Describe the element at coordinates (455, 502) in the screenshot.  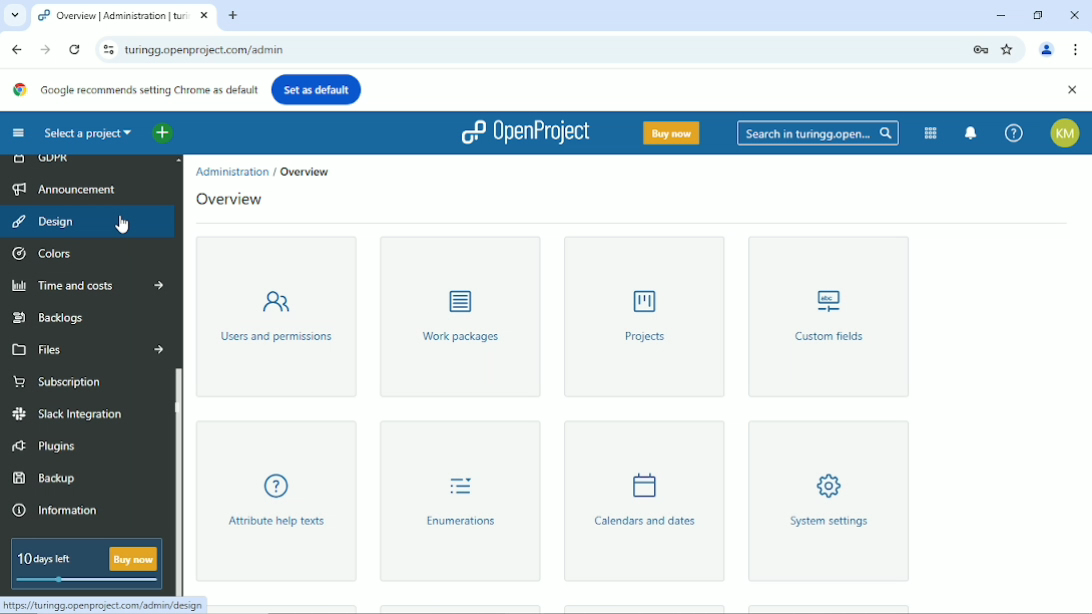
I see `Enumerations` at that location.